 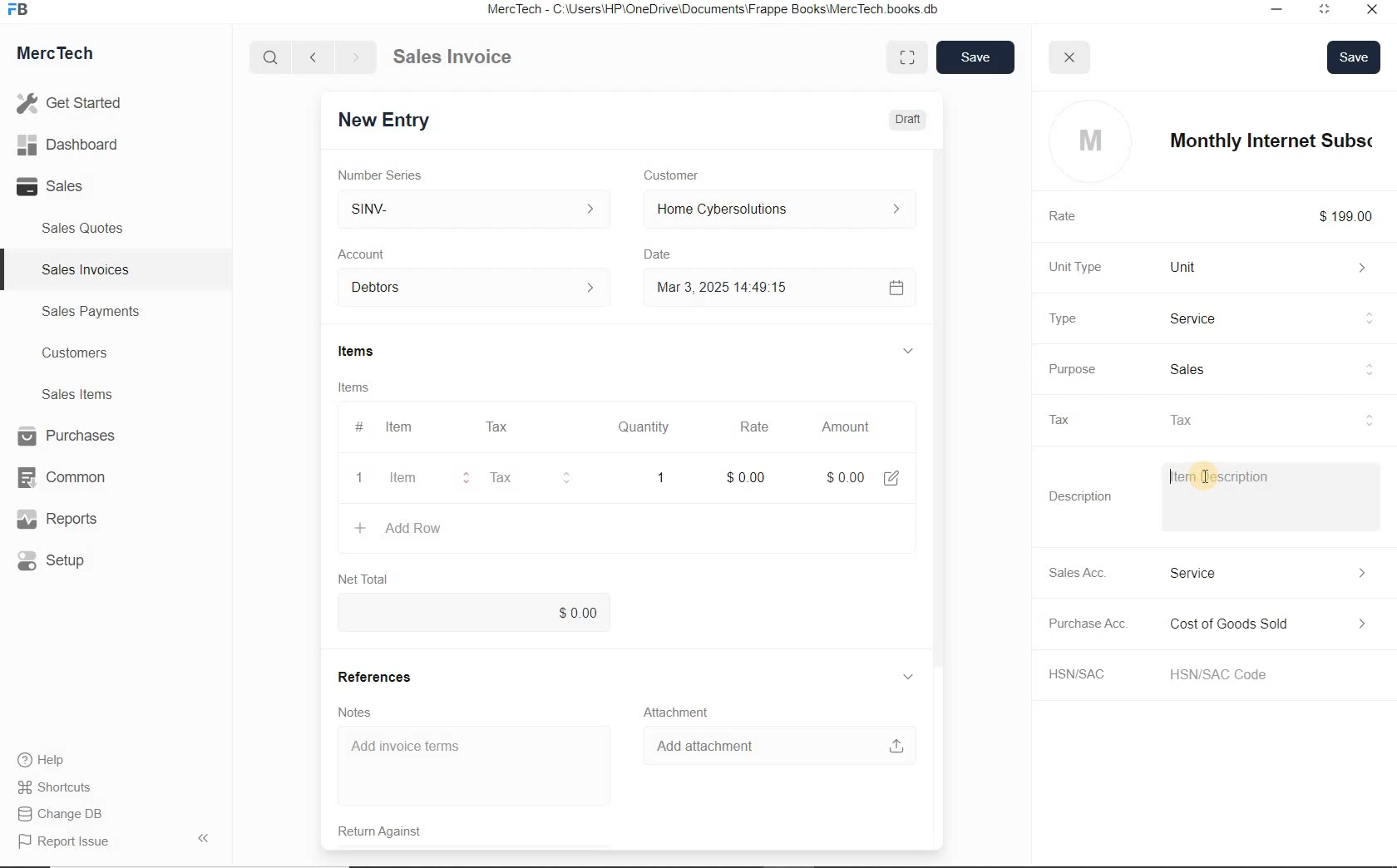 I want to click on Change DB, so click(x=62, y=814).